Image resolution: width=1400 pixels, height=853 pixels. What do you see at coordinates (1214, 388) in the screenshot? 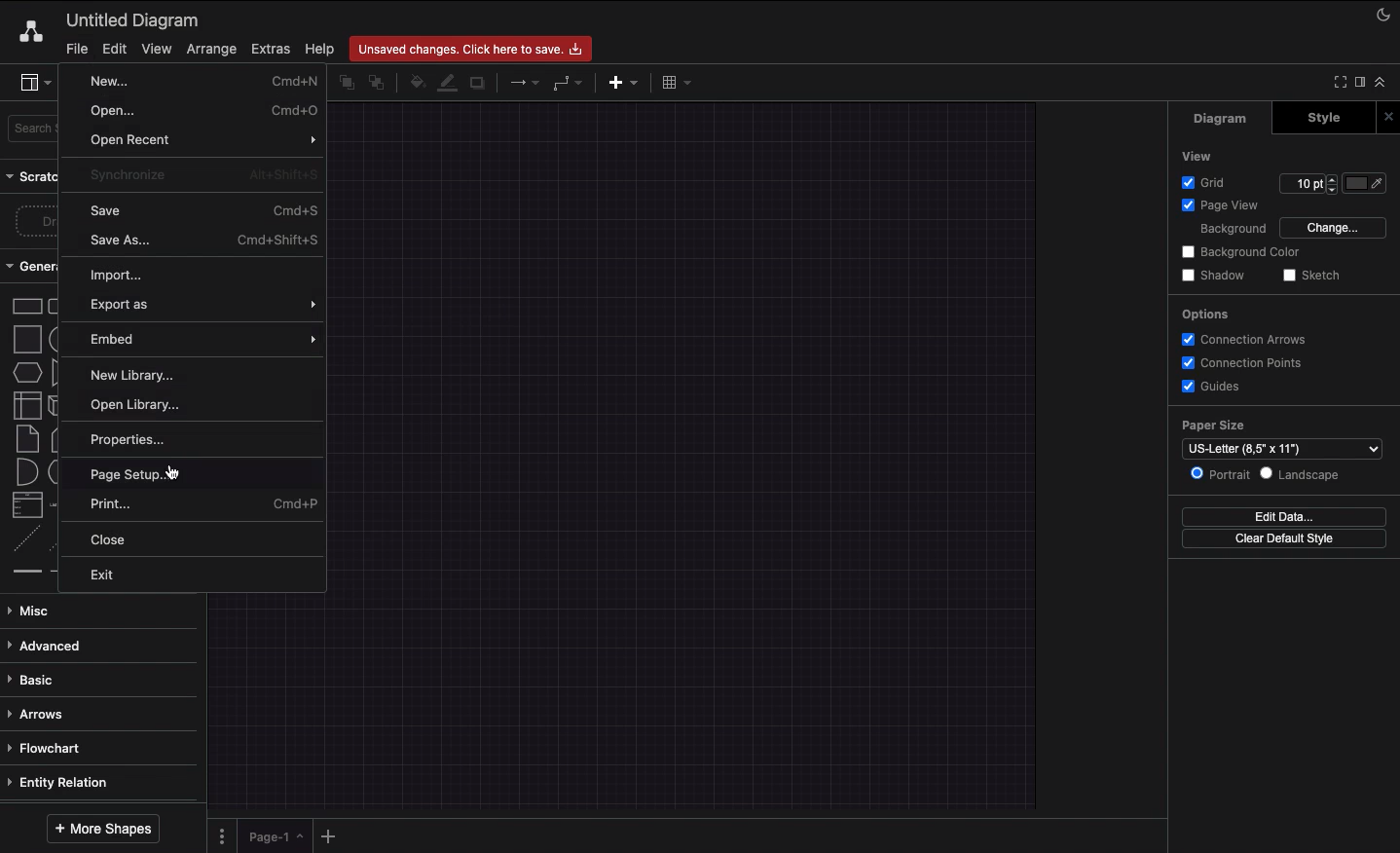
I see `Guides` at bounding box center [1214, 388].